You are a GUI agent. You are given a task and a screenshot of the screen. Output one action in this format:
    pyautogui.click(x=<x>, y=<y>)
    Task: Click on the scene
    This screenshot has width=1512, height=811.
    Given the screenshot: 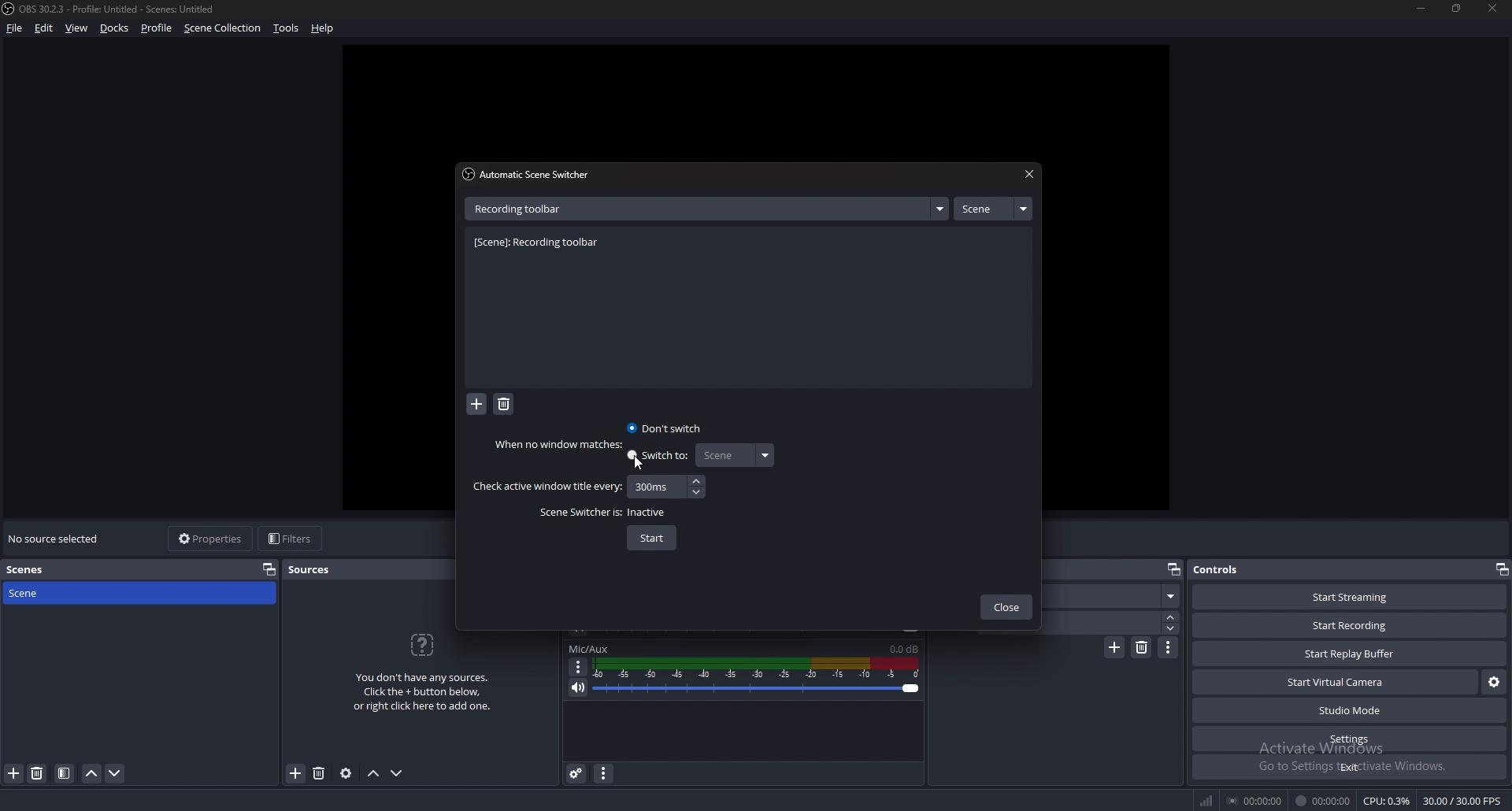 What is the action you would take?
    pyautogui.click(x=733, y=455)
    